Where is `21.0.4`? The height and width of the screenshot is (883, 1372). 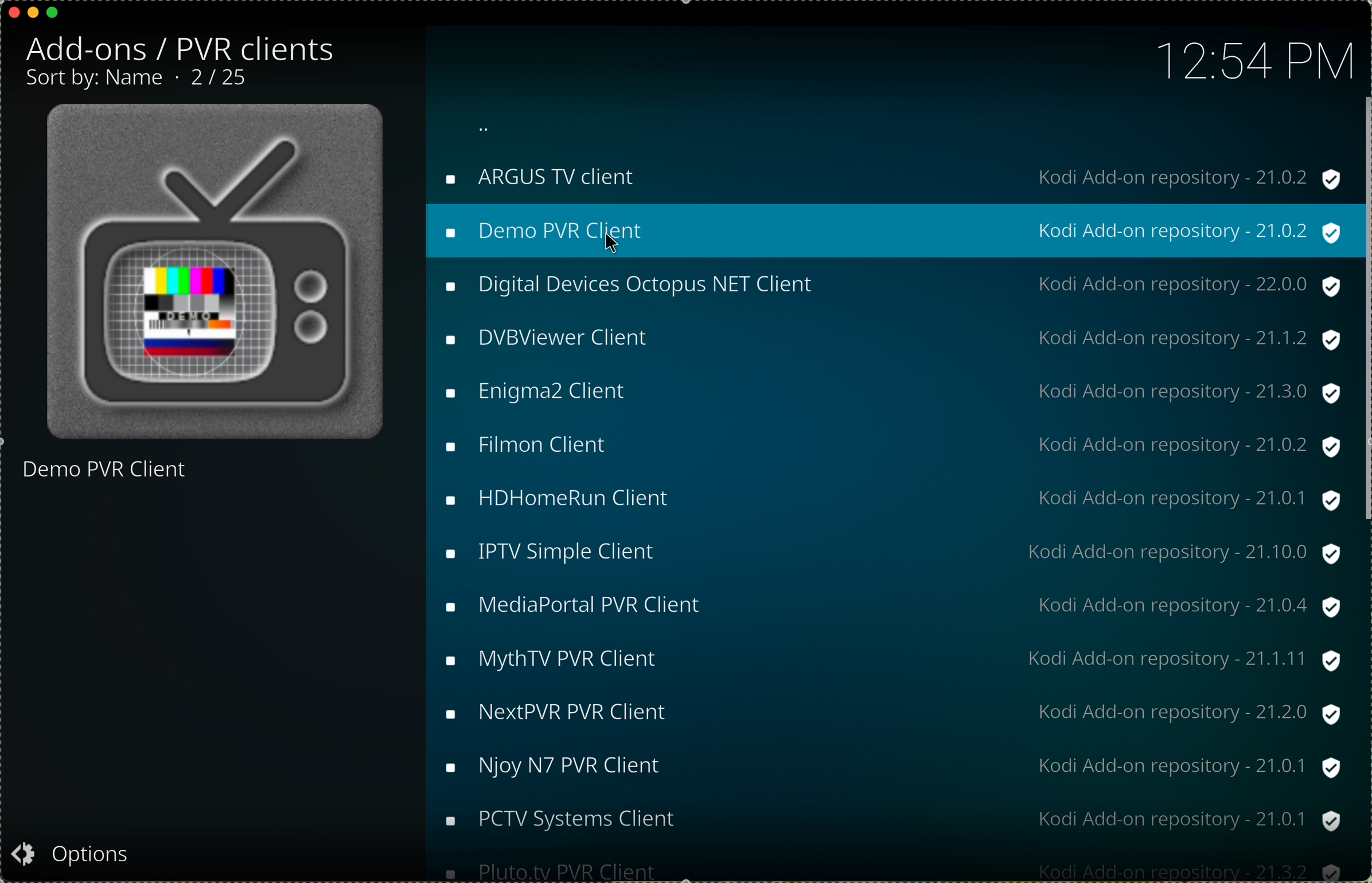 21.0.4 is located at coordinates (1282, 605).